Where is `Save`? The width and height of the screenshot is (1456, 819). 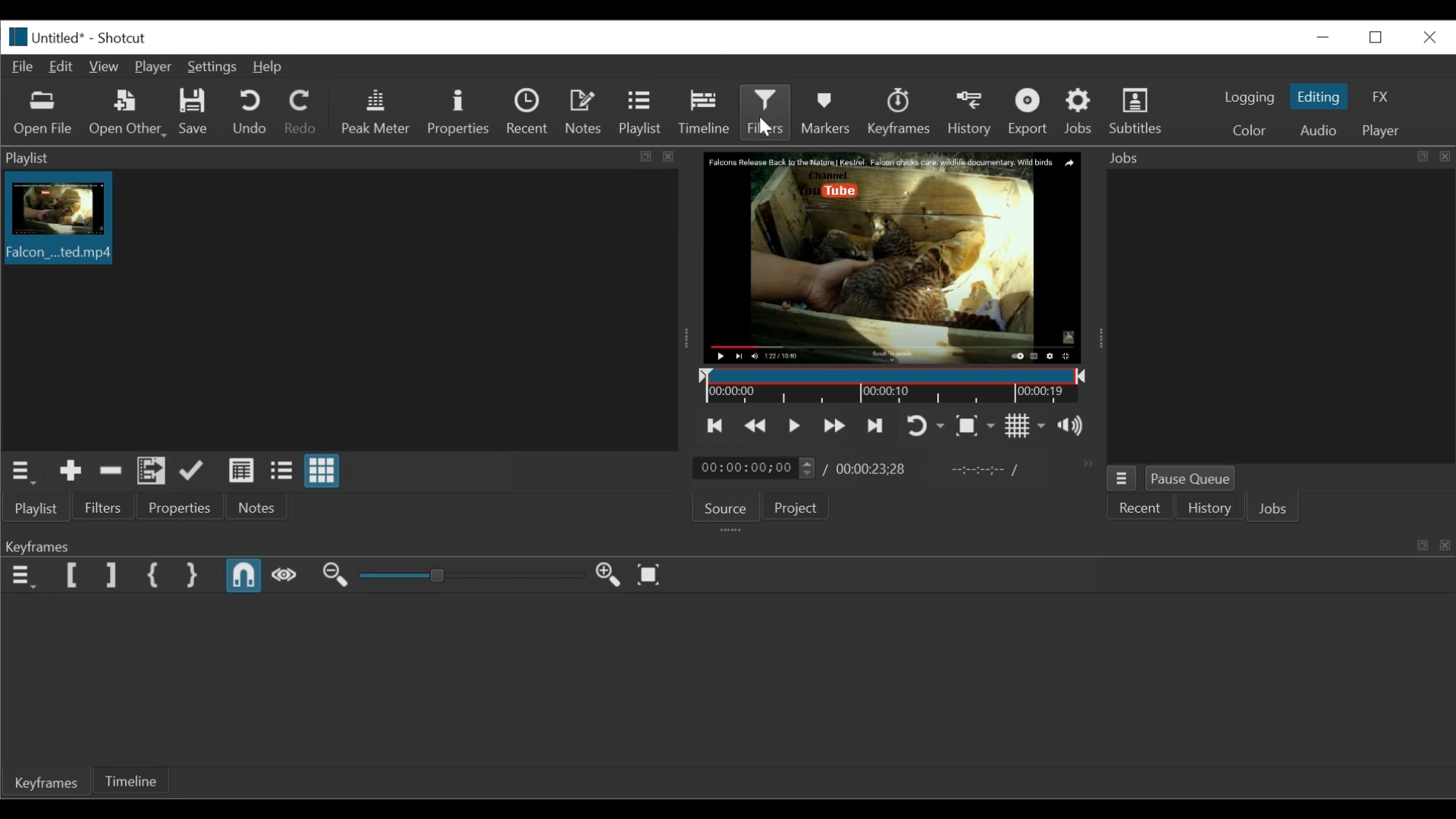
Save is located at coordinates (193, 112).